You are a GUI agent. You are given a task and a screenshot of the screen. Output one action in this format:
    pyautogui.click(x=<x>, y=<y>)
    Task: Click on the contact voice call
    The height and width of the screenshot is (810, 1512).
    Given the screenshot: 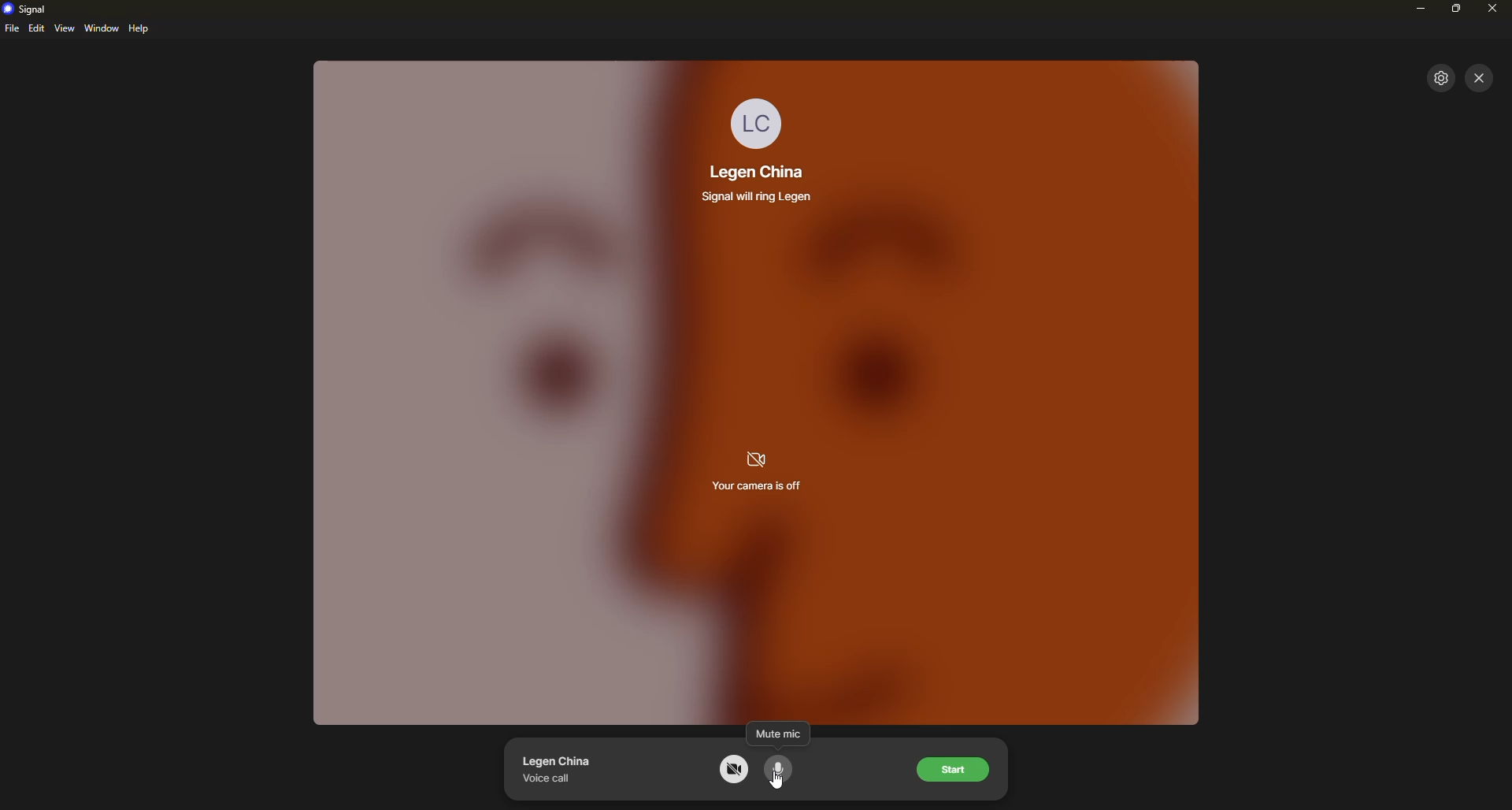 What is the action you would take?
    pyautogui.click(x=564, y=767)
    